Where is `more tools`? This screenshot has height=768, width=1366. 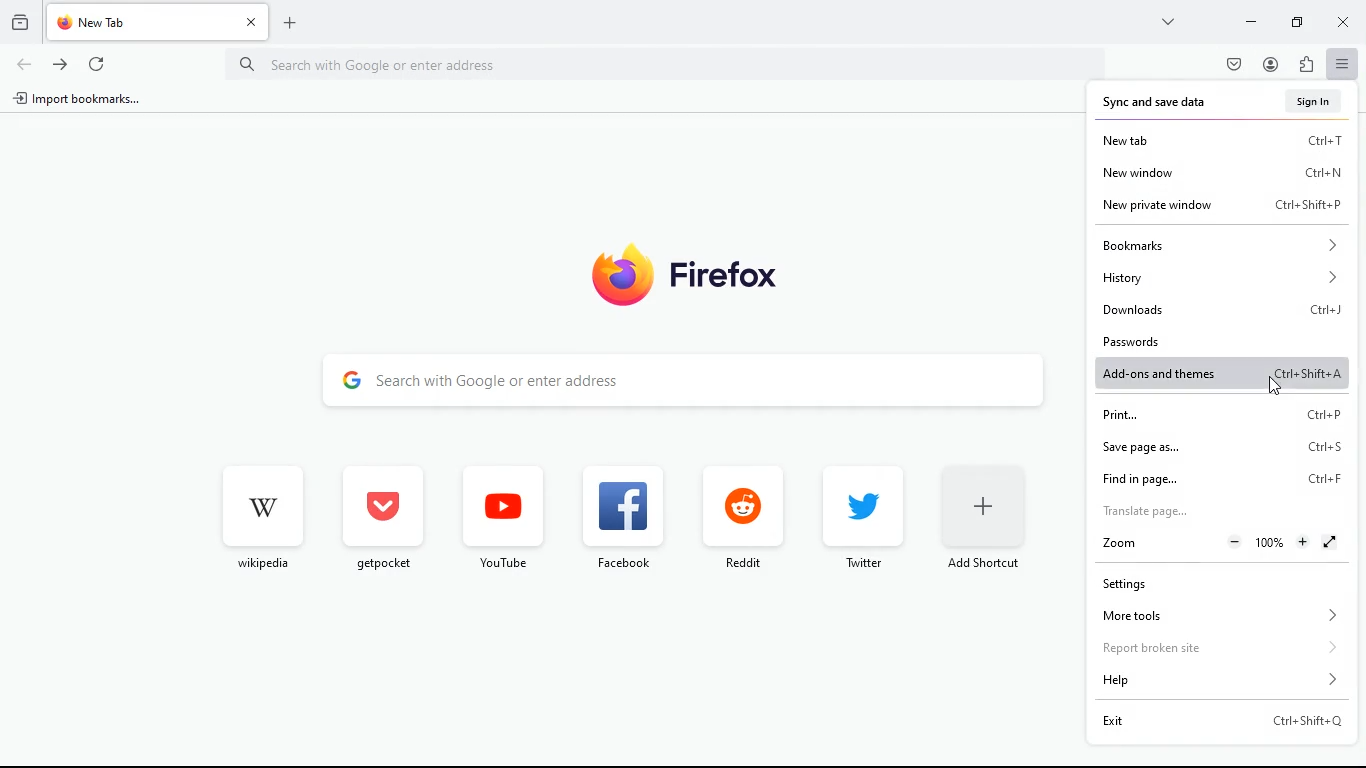
more tools is located at coordinates (1215, 615).